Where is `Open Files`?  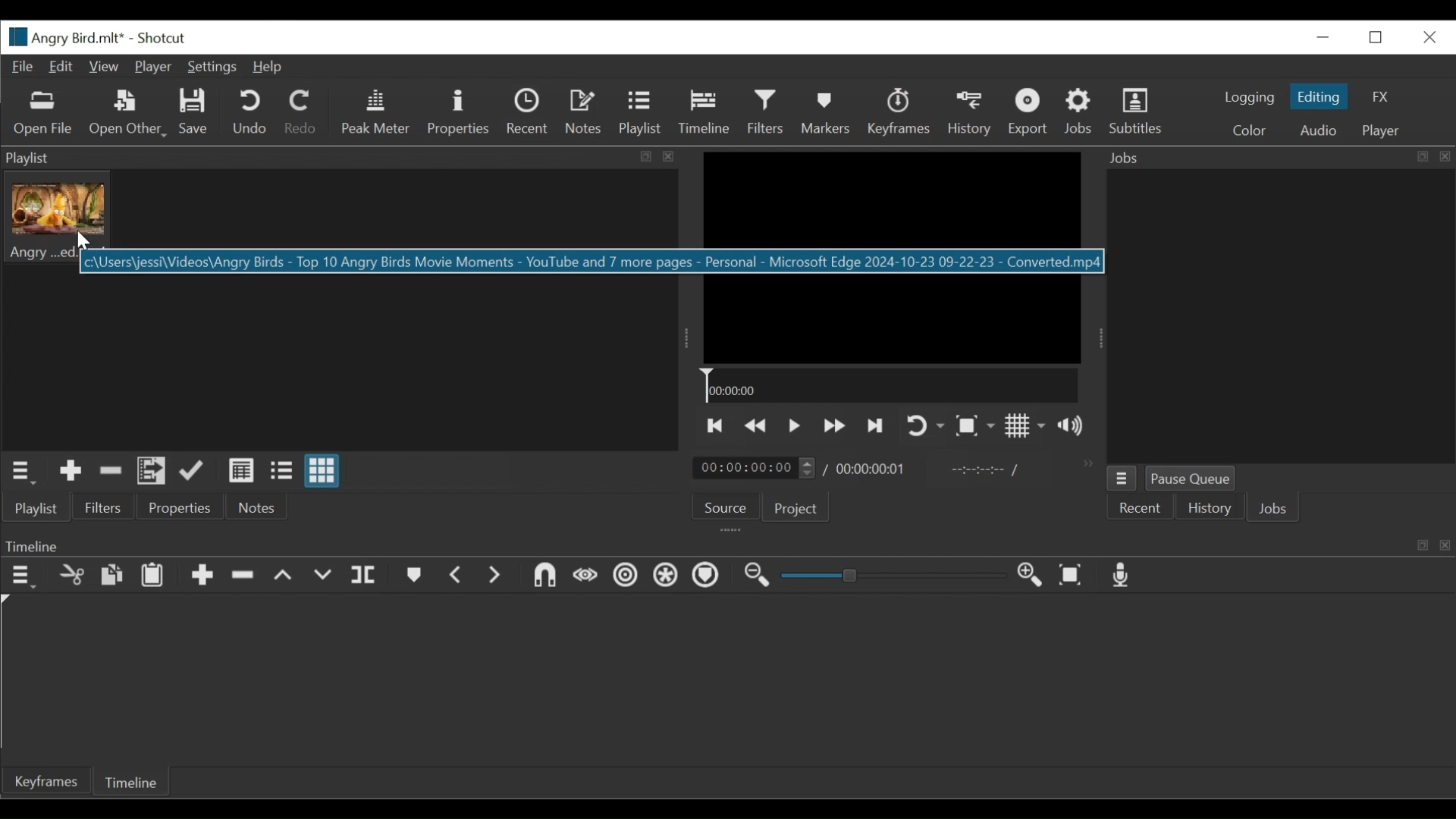
Open Files is located at coordinates (44, 114).